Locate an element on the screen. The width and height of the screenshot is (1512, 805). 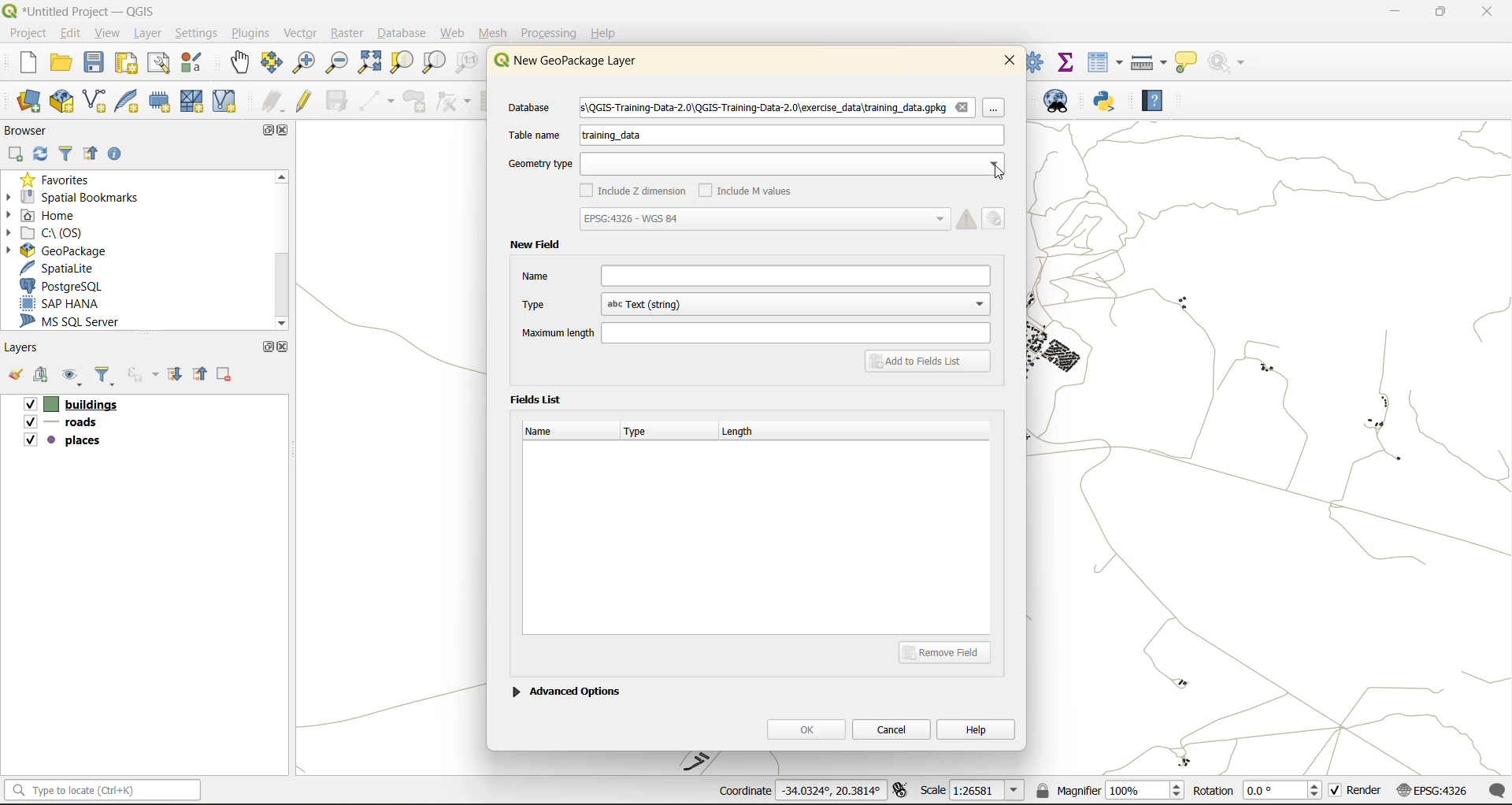
maximum length is located at coordinates (754, 332).